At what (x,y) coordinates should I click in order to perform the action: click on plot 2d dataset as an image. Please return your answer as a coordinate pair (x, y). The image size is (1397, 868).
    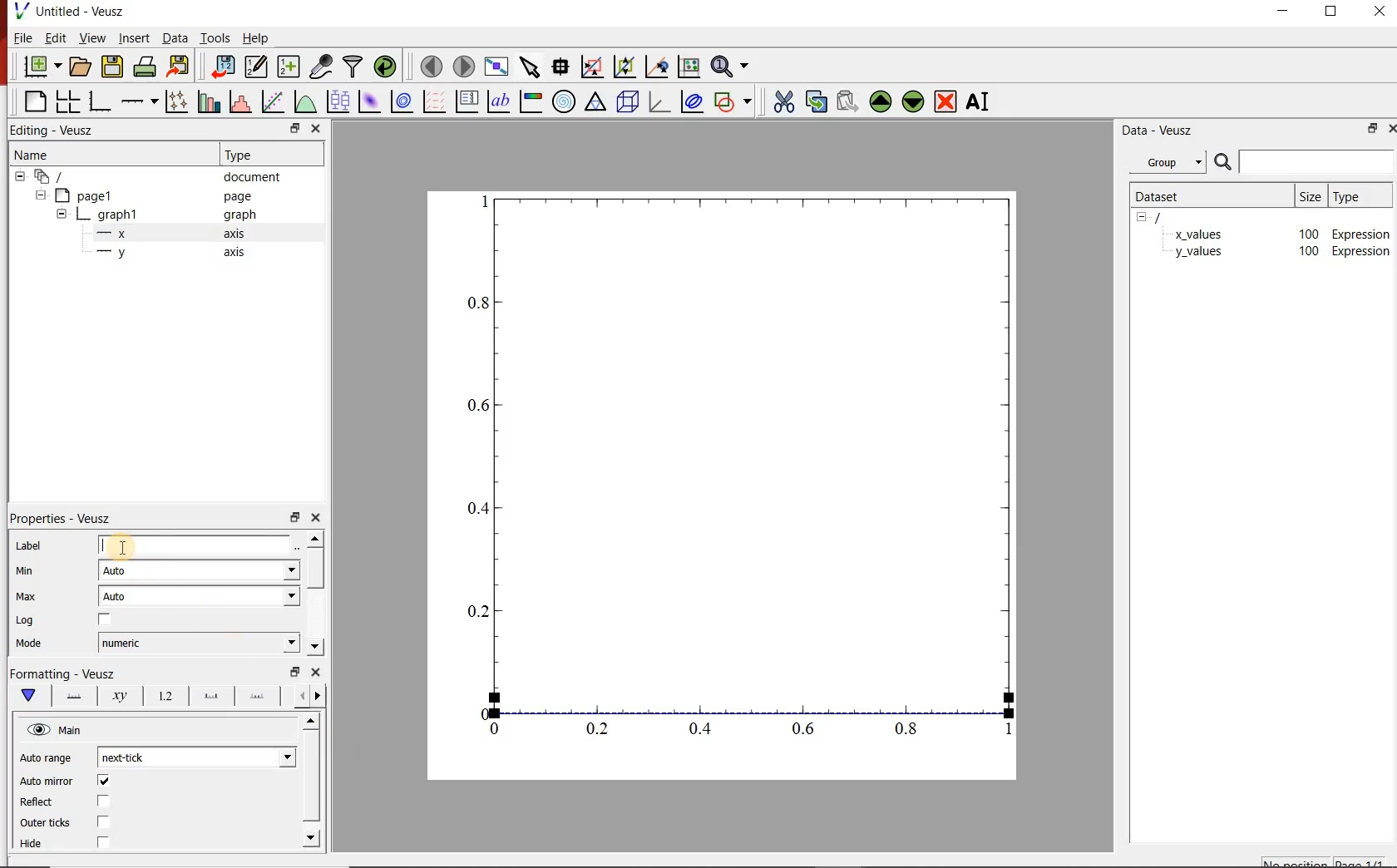
    Looking at the image, I should click on (369, 101).